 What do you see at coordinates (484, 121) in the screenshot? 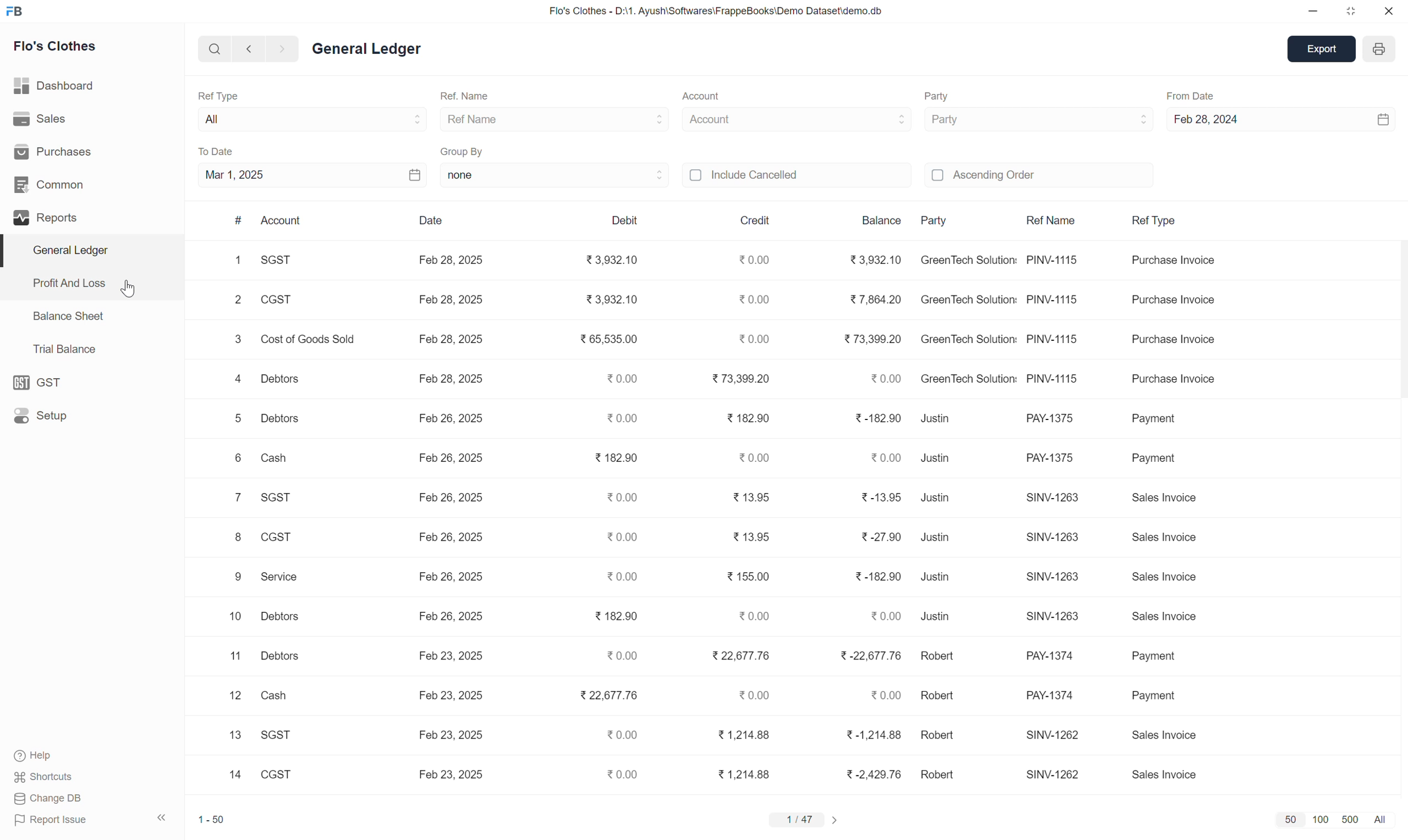
I see `Ref Name` at bounding box center [484, 121].